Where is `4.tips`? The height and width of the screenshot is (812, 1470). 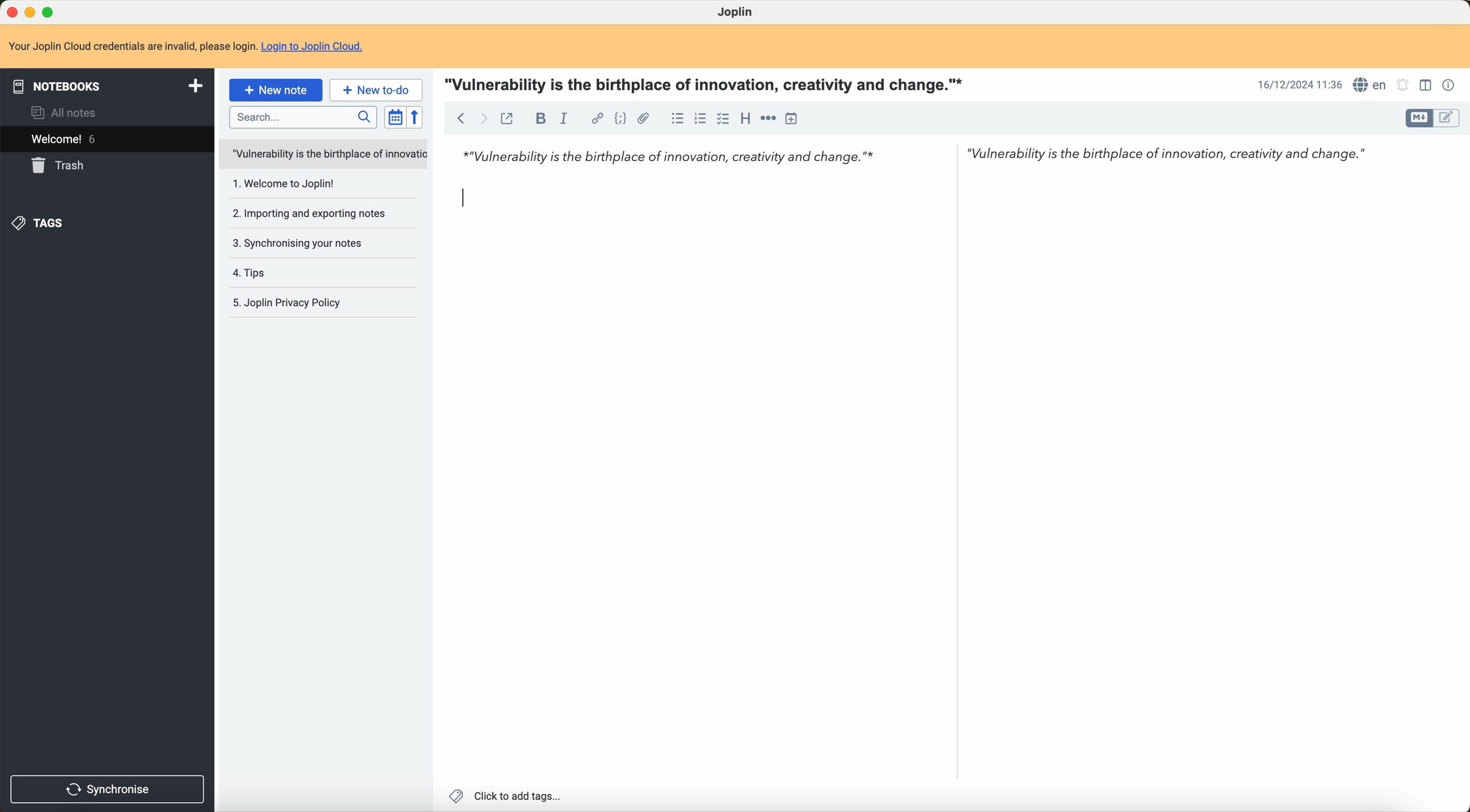 4.tips is located at coordinates (253, 273).